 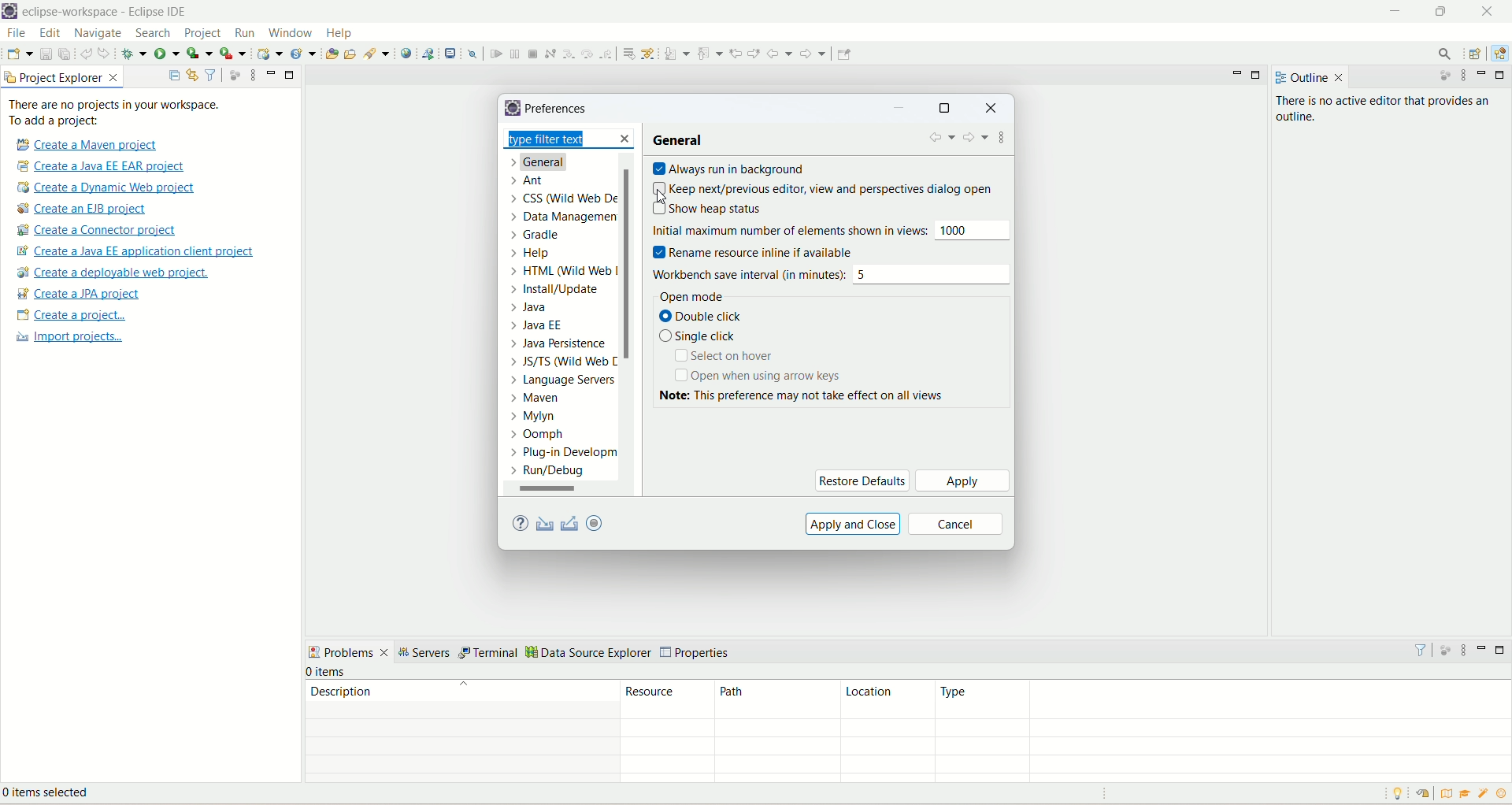 What do you see at coordinates (1388, 110) in the screenshot?
I see `There is no active editor that provides outline.` at bounding box center [1388, 110].